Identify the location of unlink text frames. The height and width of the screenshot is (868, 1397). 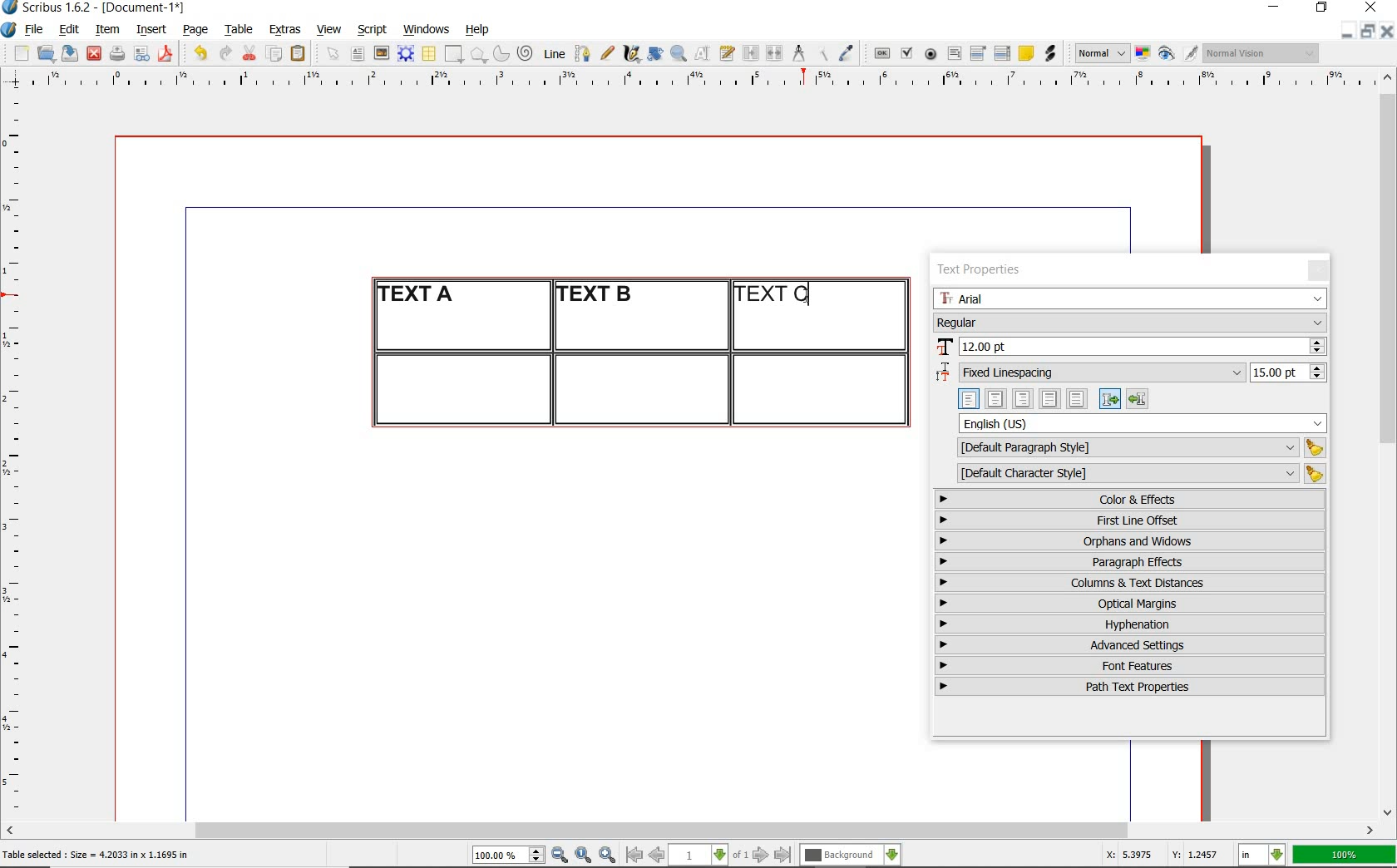
(774, 54).